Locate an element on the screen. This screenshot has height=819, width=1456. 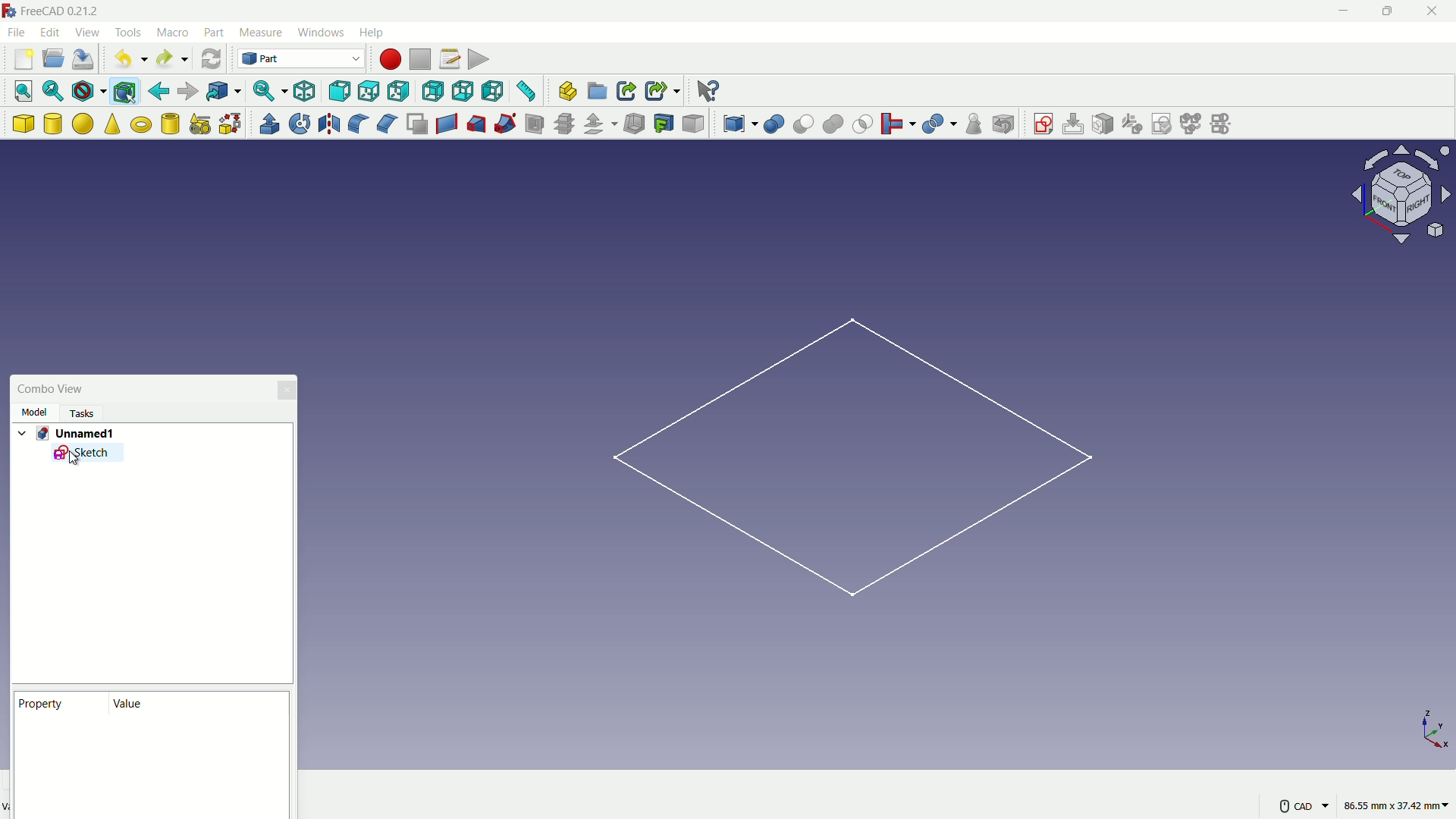
go forward is located at coordinates (188, 91).